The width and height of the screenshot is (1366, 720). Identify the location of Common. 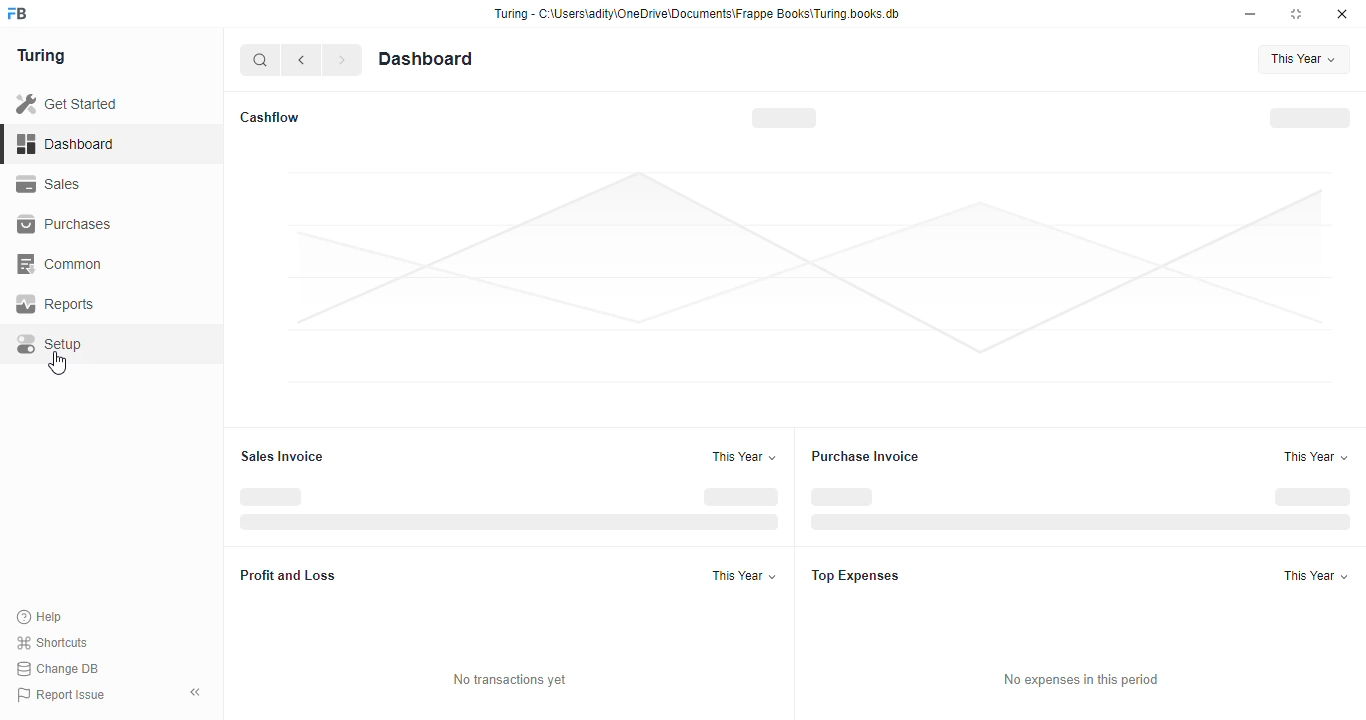
(108, 262).